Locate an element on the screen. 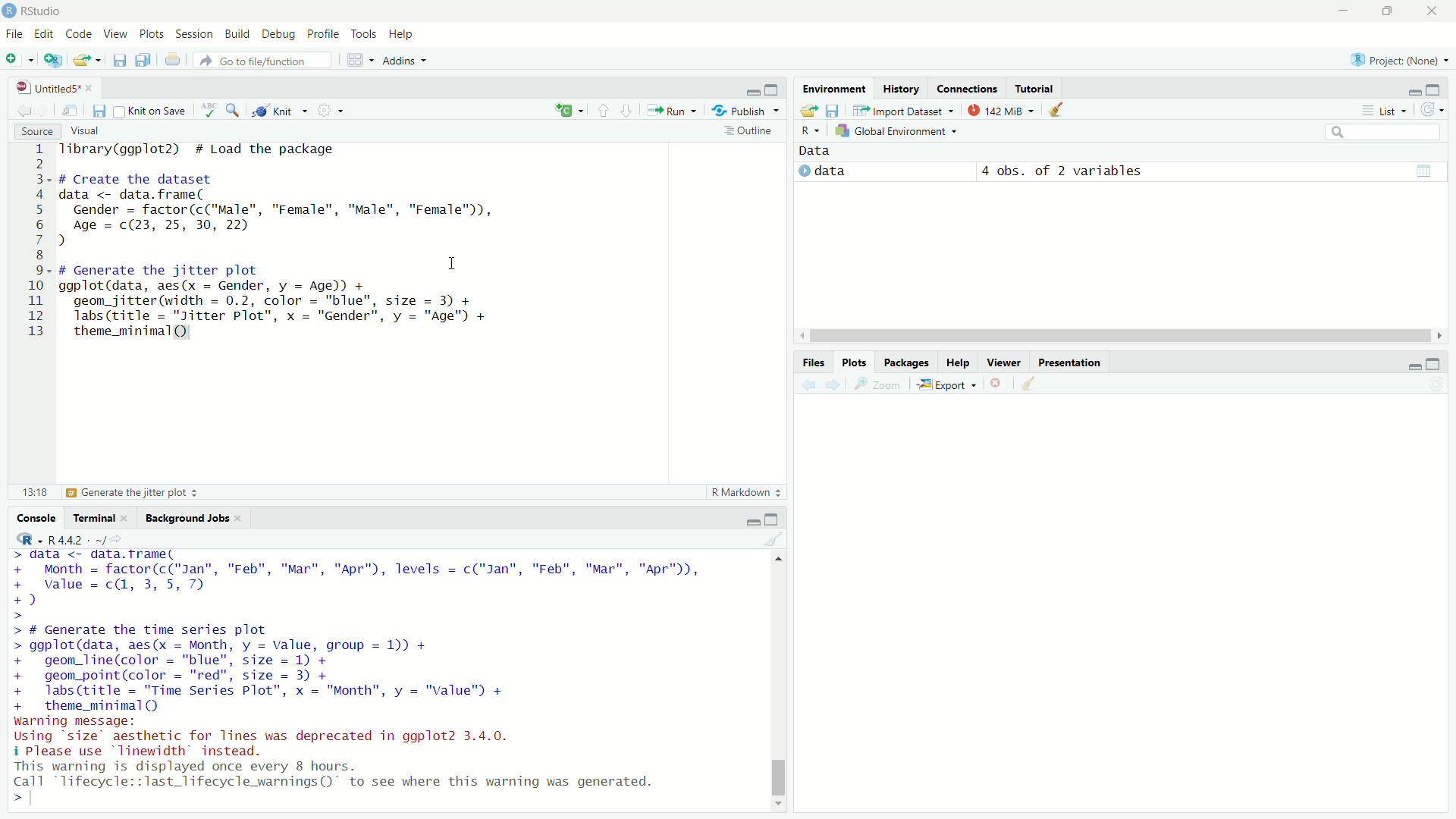  tools is located at coordinates (366, 32).